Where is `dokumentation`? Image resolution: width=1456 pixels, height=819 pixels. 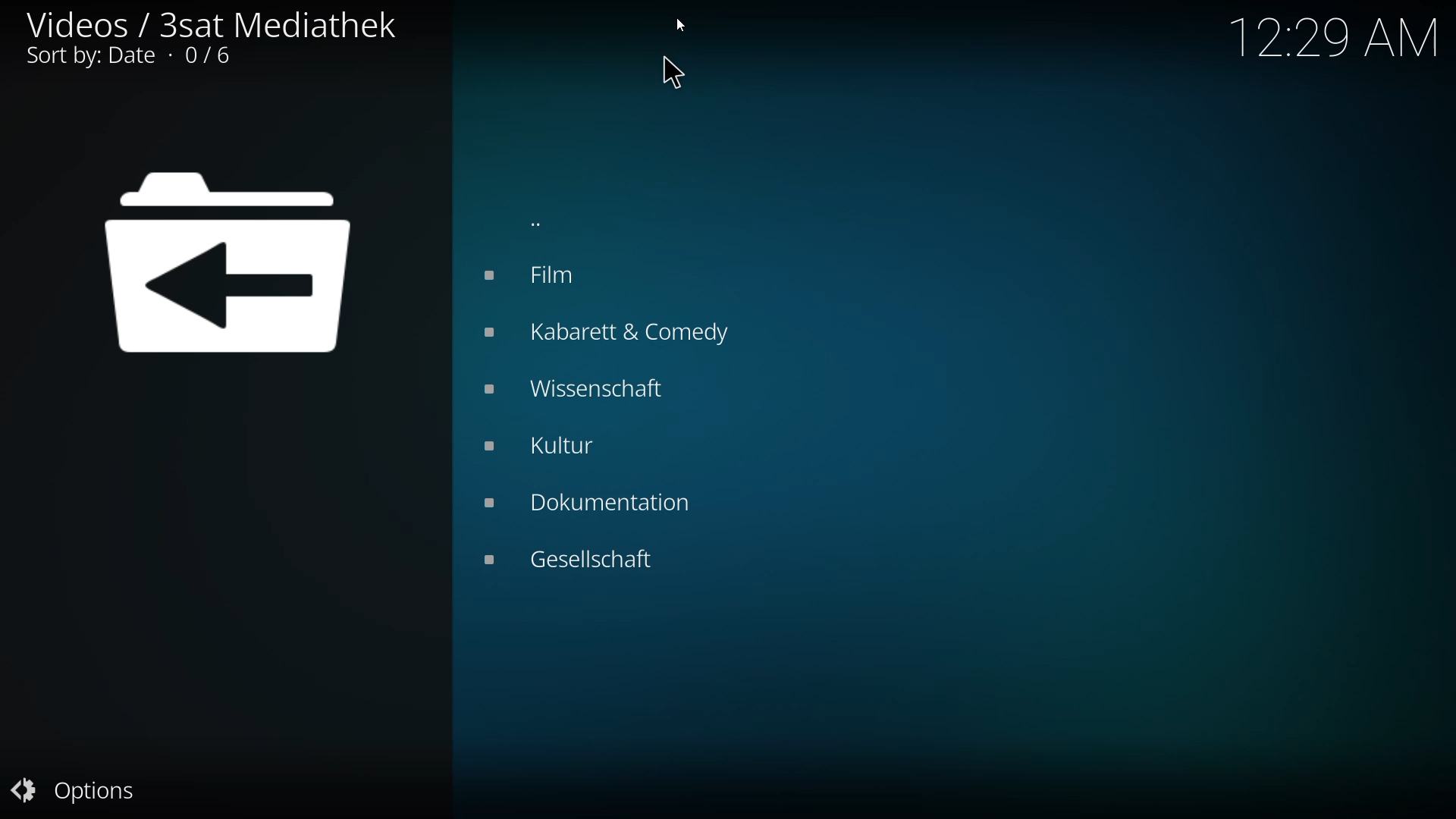 dokumentation is located at coordinates (590, 500).